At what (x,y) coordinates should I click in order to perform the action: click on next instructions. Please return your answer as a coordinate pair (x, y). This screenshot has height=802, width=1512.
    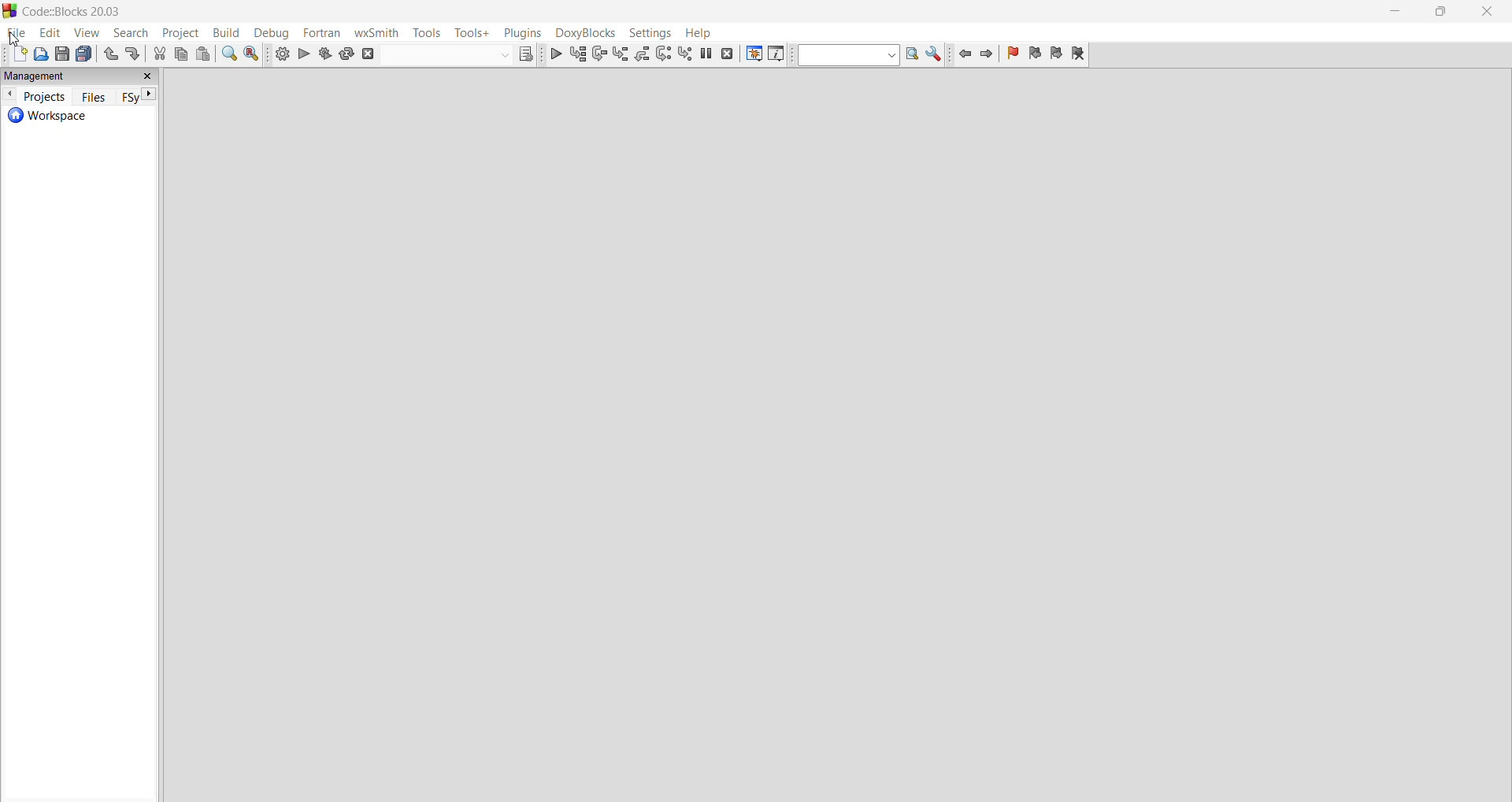
    Looking at the image, I should click on (666, 56).